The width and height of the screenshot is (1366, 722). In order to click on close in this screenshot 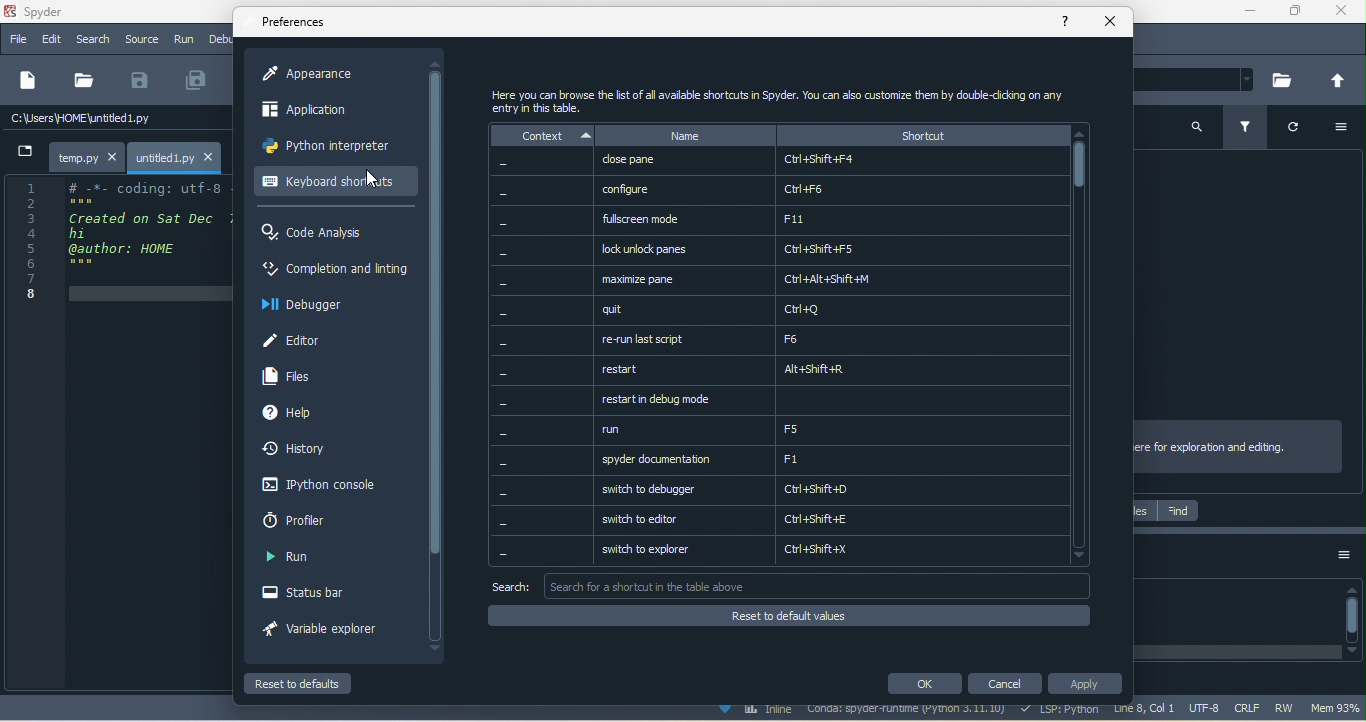, I will do `click(1341, 13)`.